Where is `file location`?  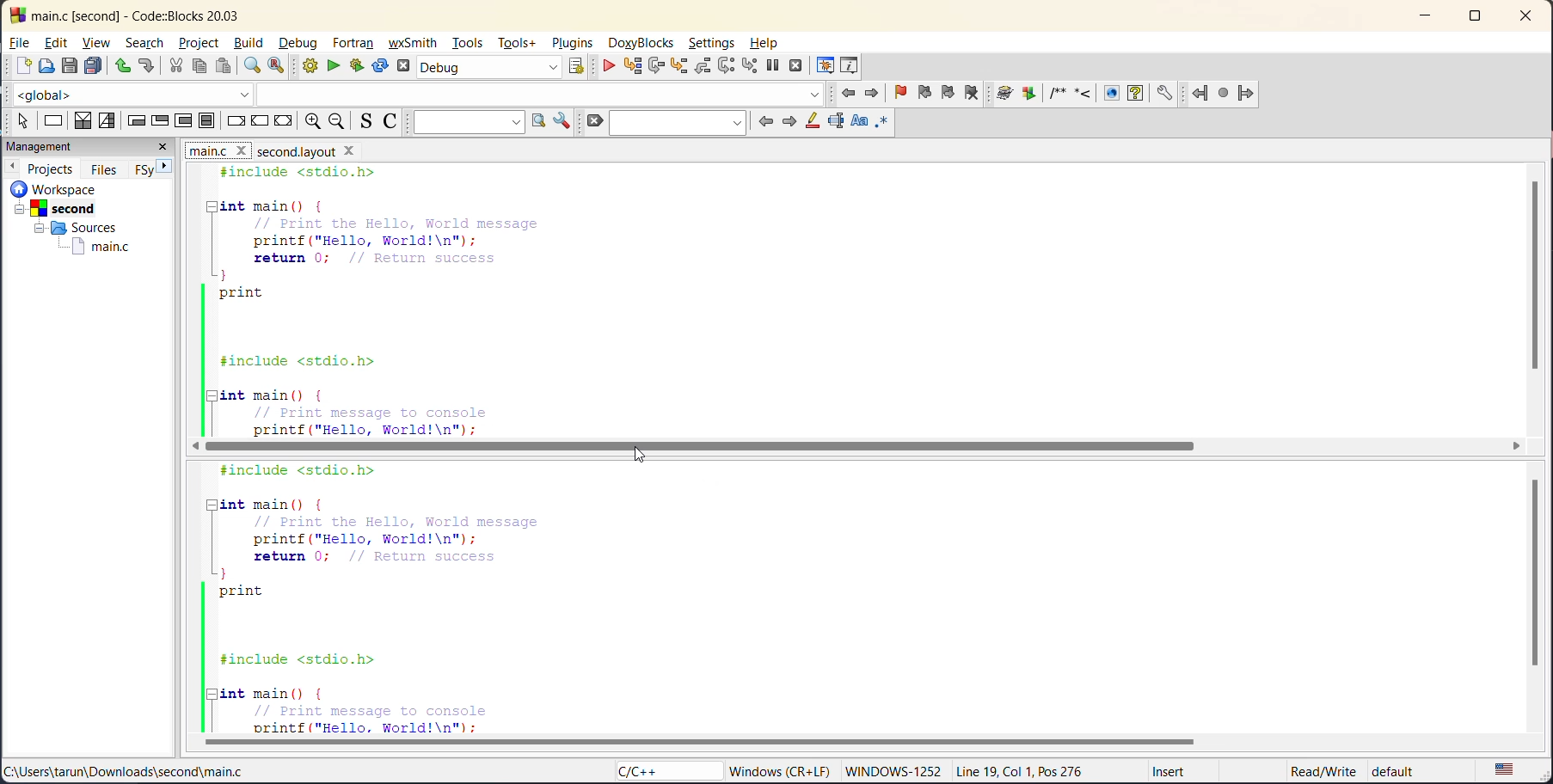
file location is located at coordinates (142, 770).